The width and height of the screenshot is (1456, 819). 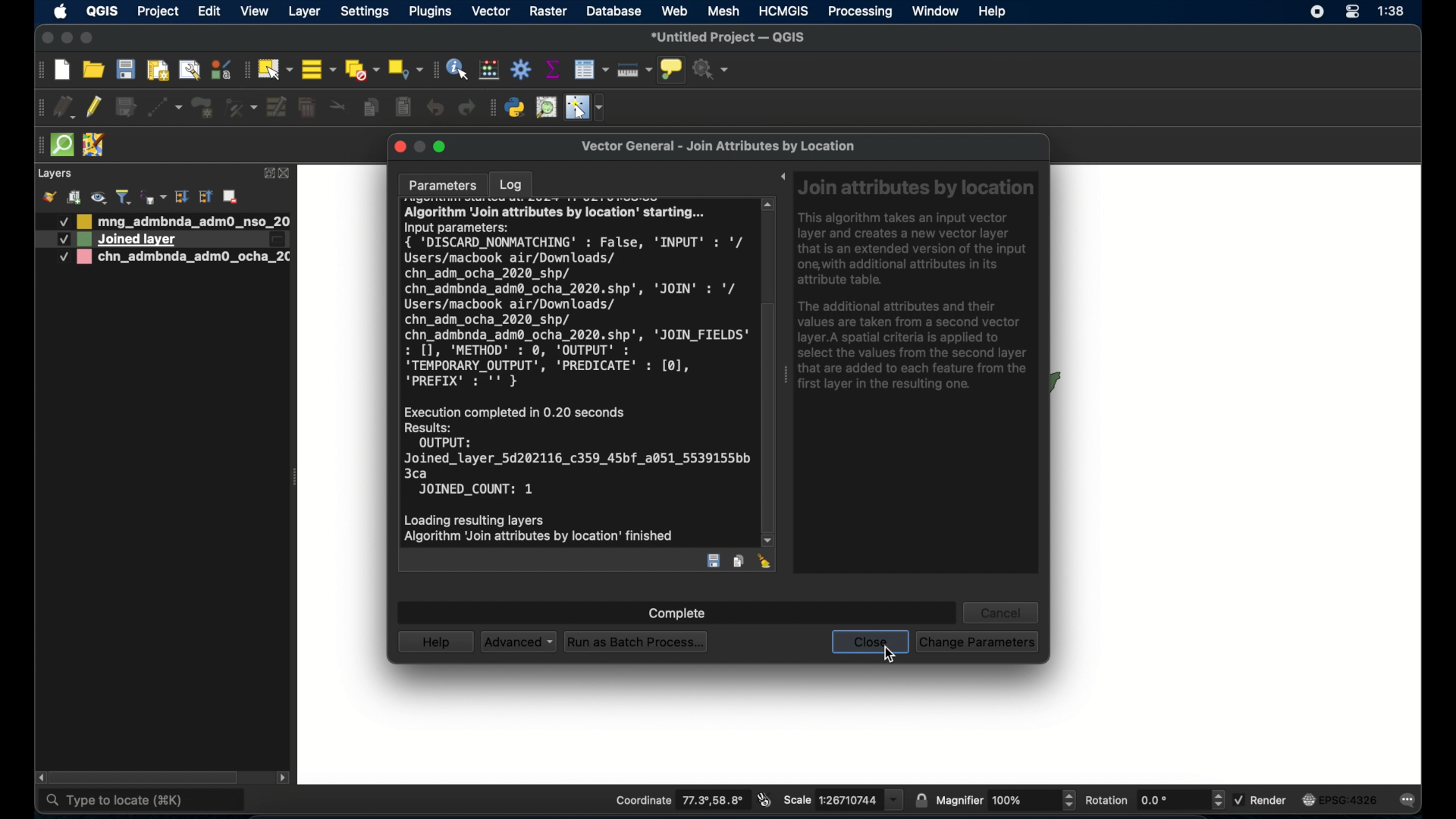 I want to click on messages, so click(x=1410, y=801).